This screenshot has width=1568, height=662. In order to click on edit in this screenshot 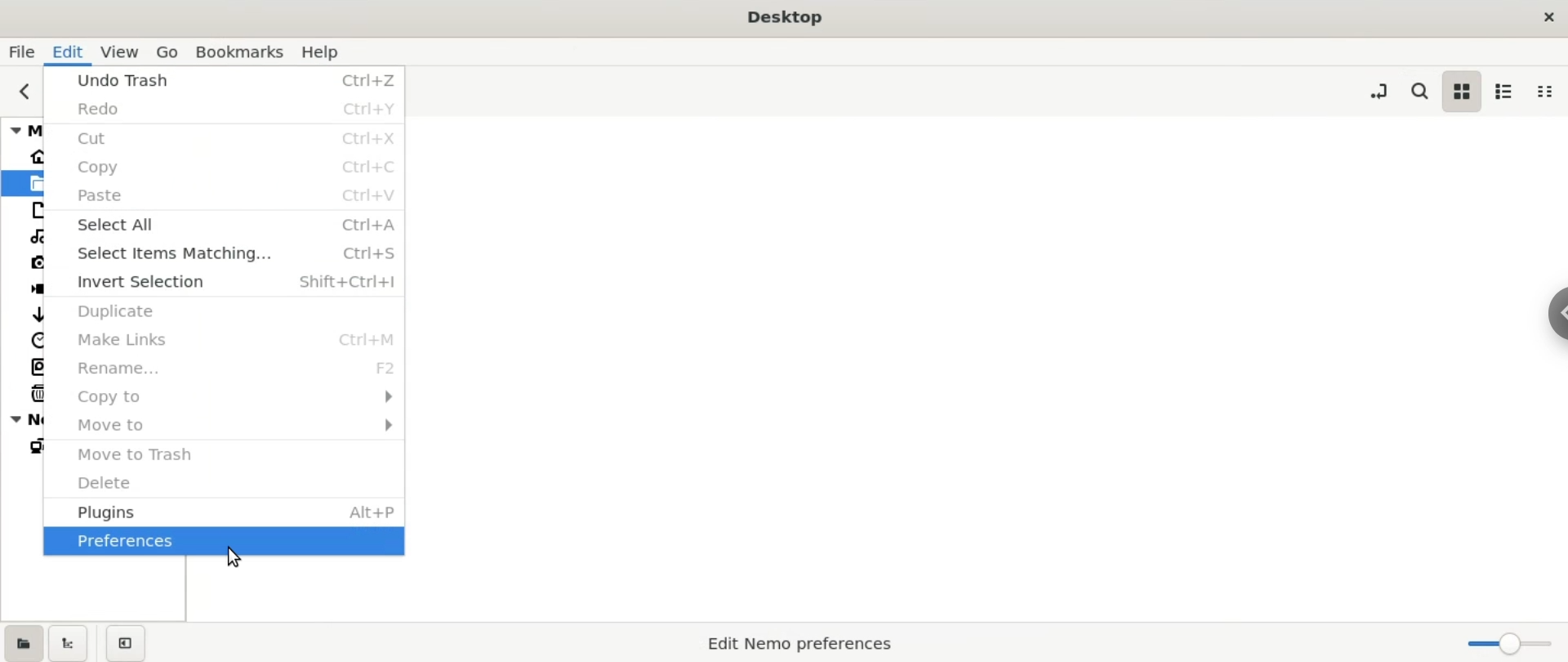, I will do `click(71, 53)`.